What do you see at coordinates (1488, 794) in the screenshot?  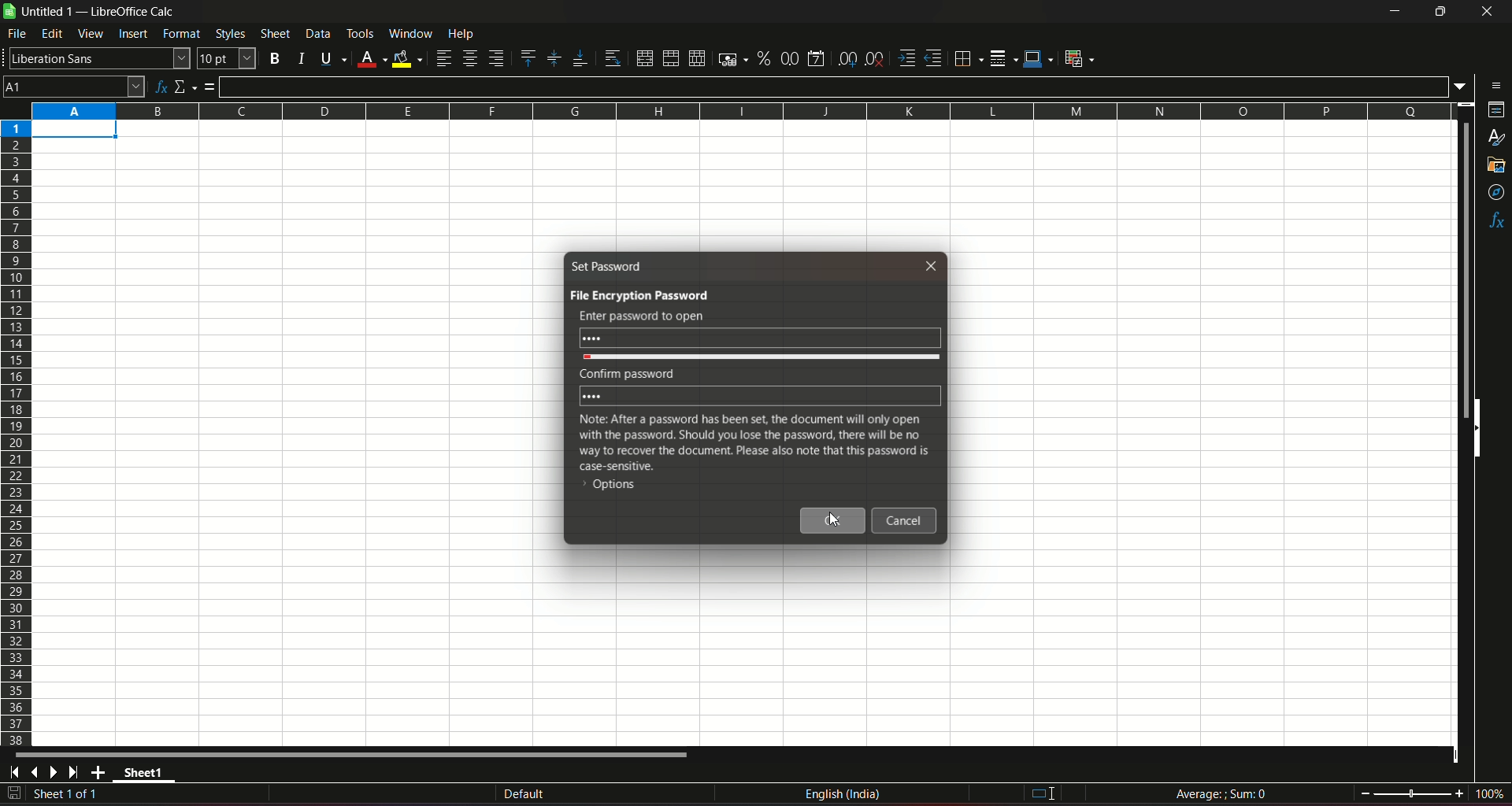 I see `zoom factor` at bounding box center [1488, 794].